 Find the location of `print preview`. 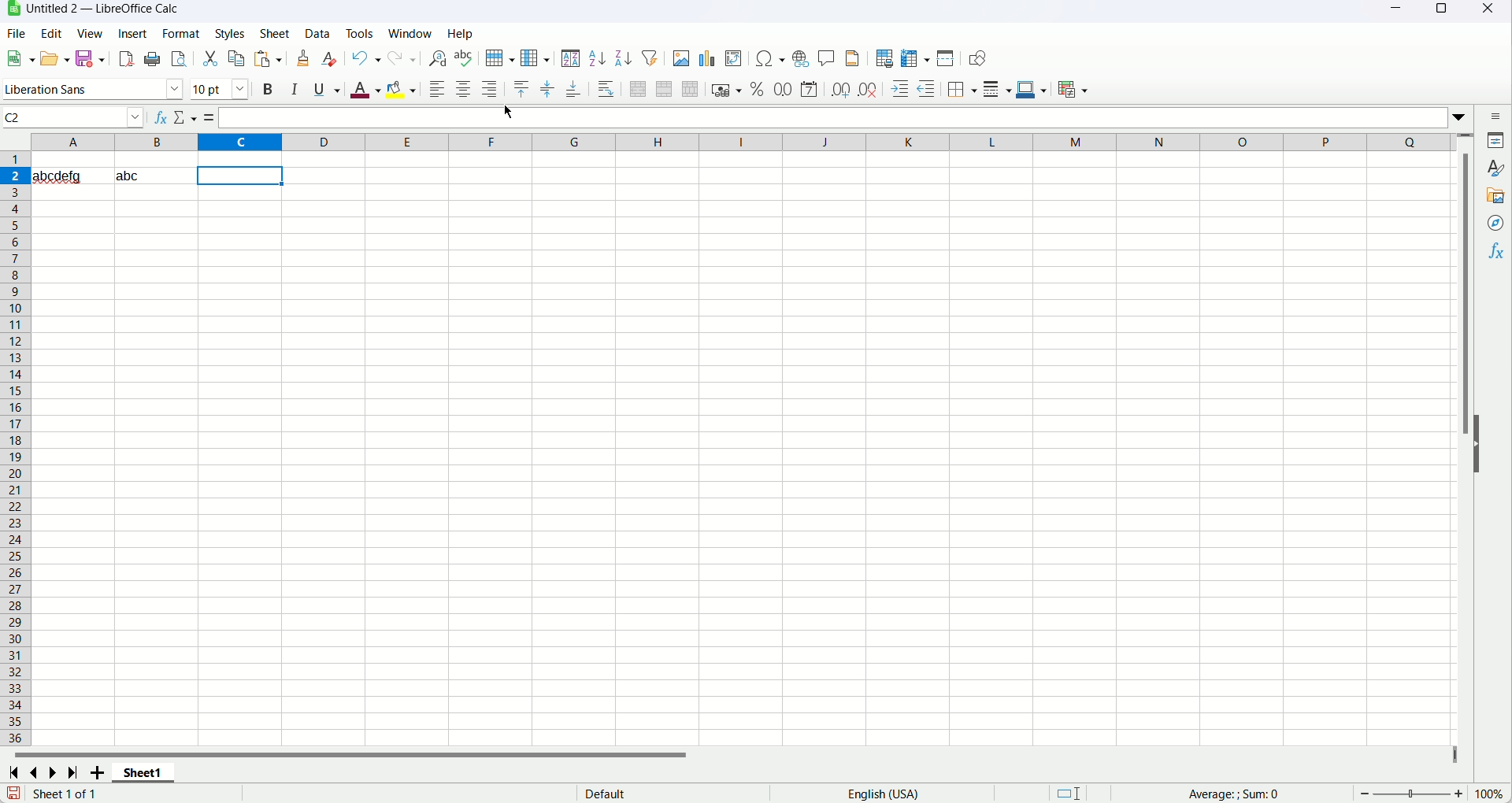

print preview is located at coordinates (177, 59).